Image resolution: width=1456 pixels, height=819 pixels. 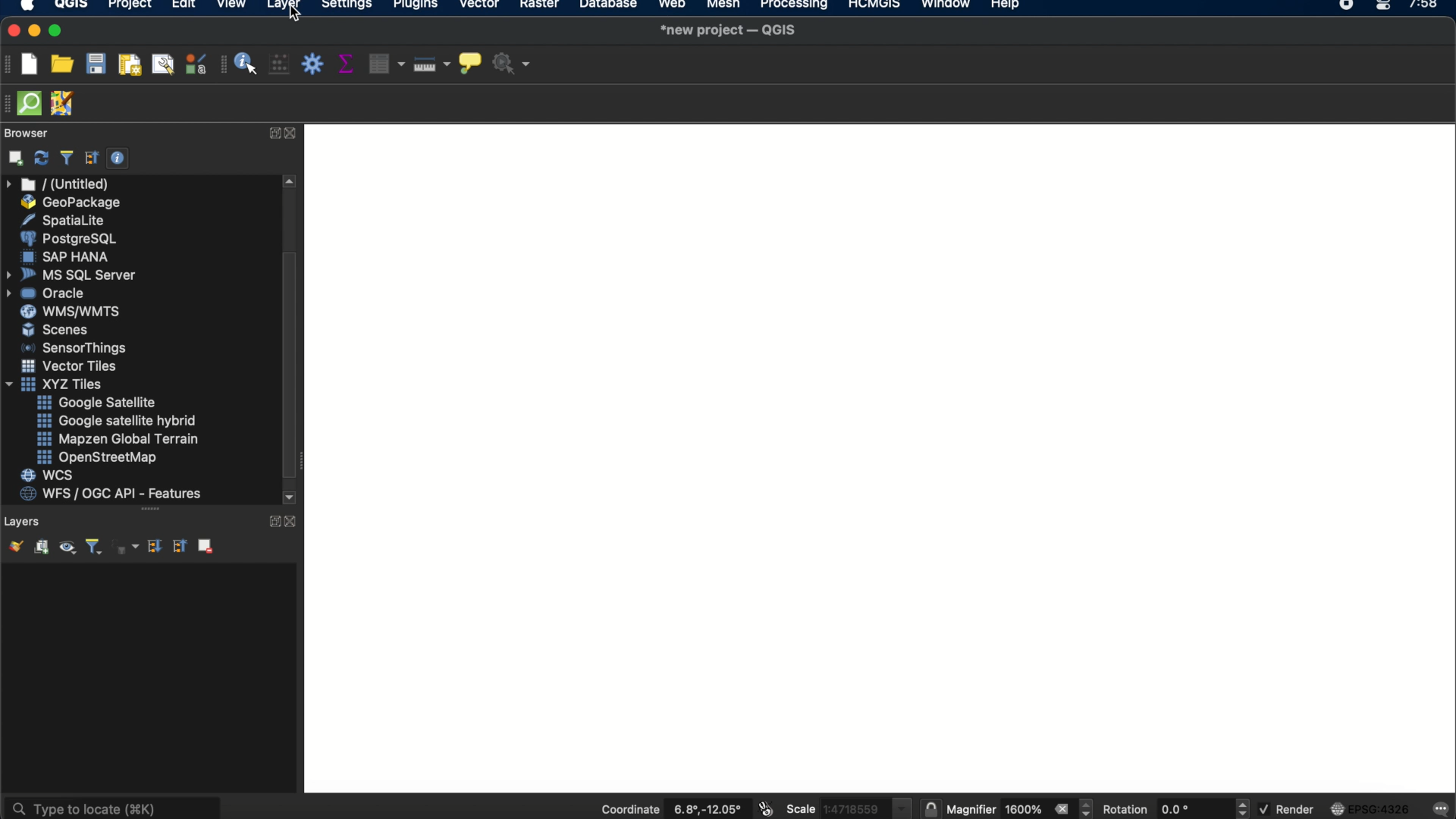 What do you see at coordinates (66, 220) in the screenshot?
I see `spatiallite` at bounding box center [66, 220].